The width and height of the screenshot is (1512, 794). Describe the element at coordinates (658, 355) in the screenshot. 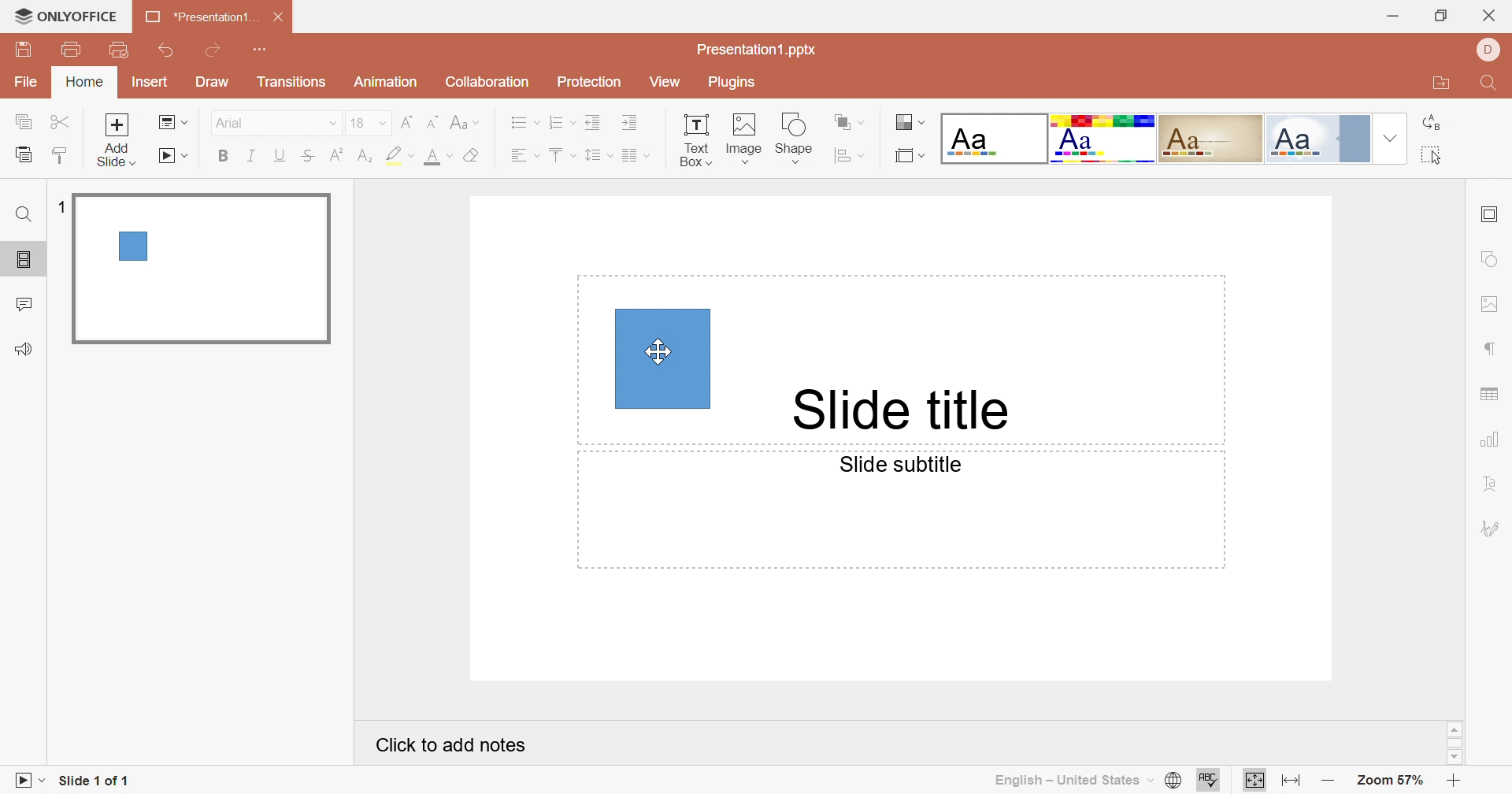

I see `Cursor` at that location.